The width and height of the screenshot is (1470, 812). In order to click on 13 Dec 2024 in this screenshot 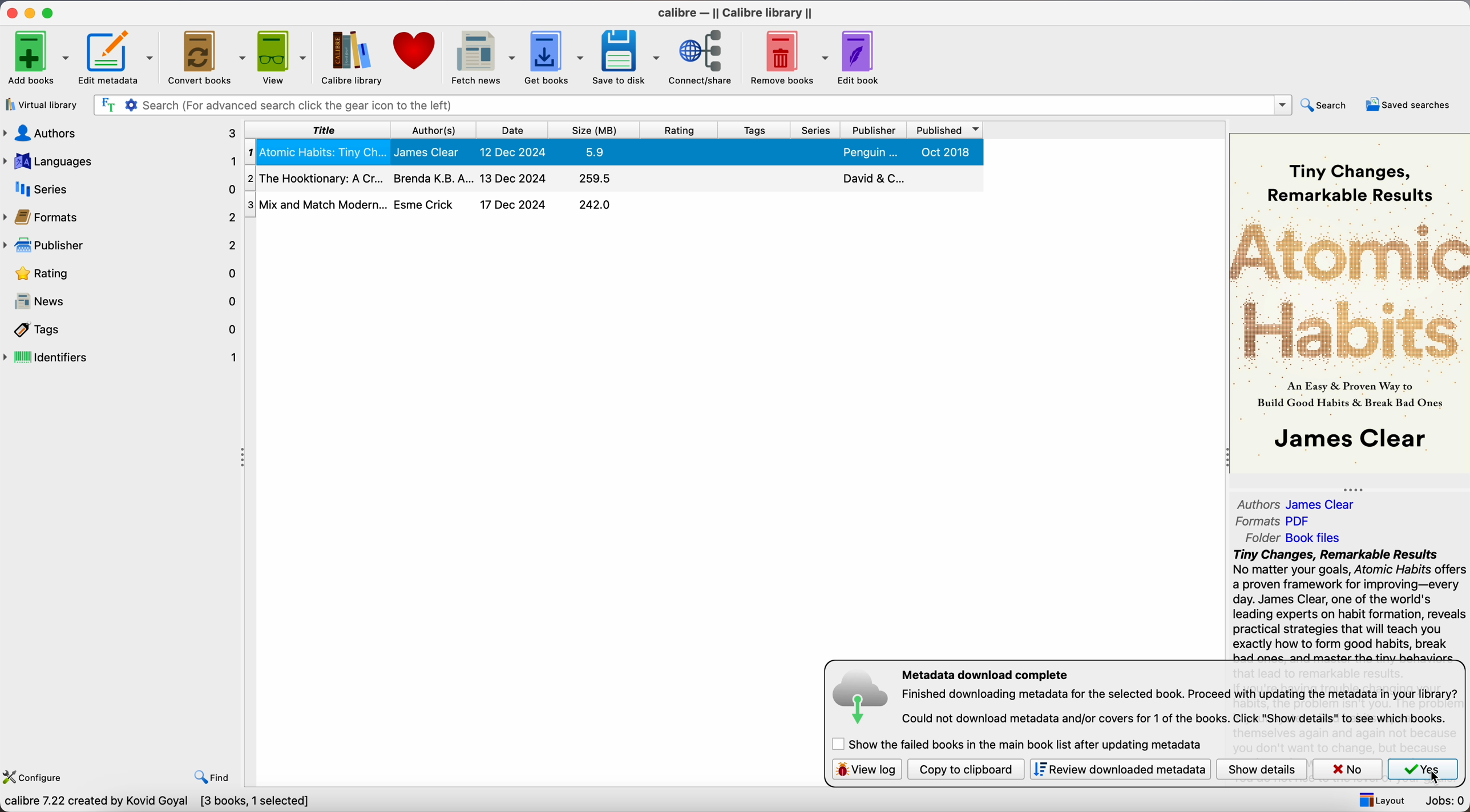, I will do `click(514, 177)`.